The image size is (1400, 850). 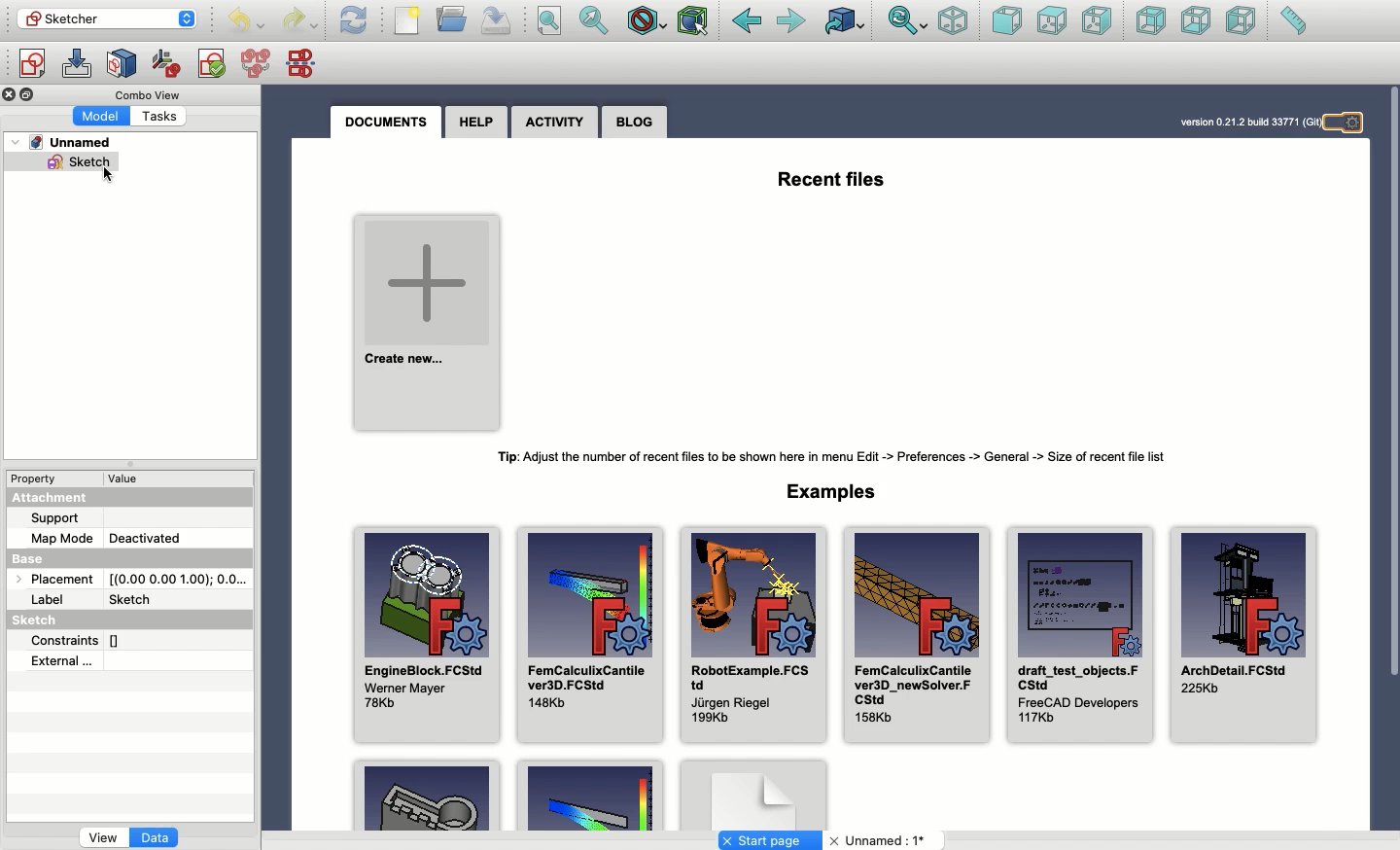 I want to click on Examples, so click(x=589, y=797).